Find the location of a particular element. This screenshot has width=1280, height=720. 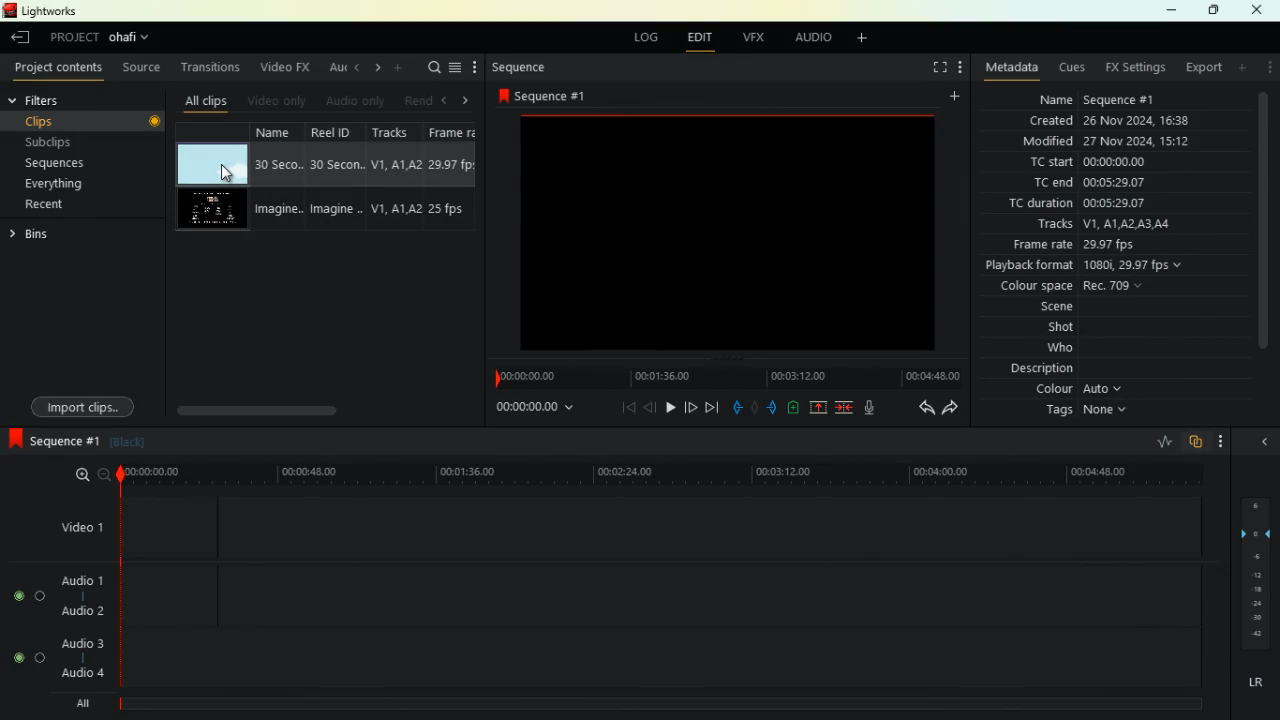

name is located at coordinates (278, 178).